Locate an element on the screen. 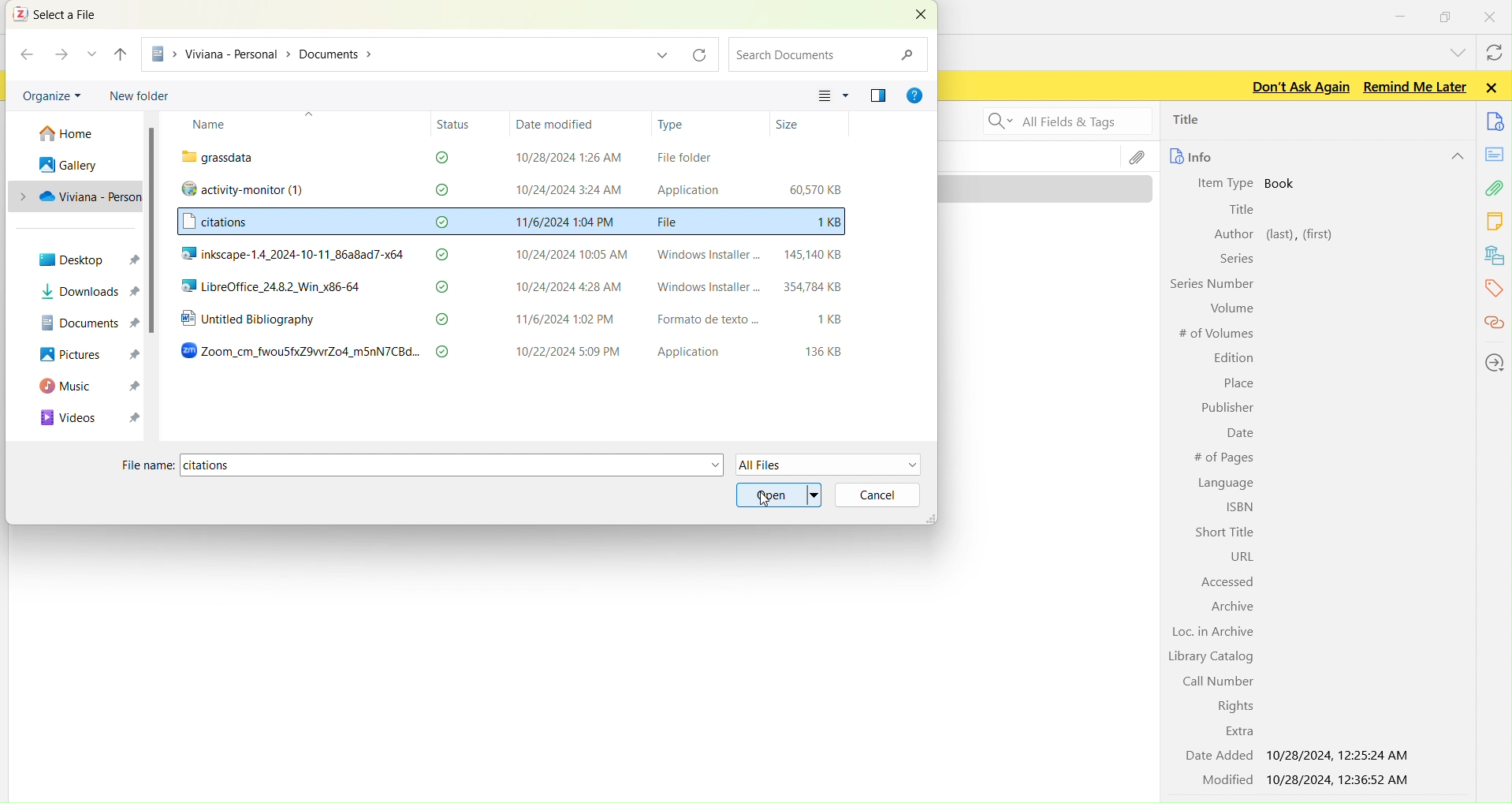 This screenshot has height=803, width=1512. 10/24/2024 10:05 AM is located at coordinates (560, 256).